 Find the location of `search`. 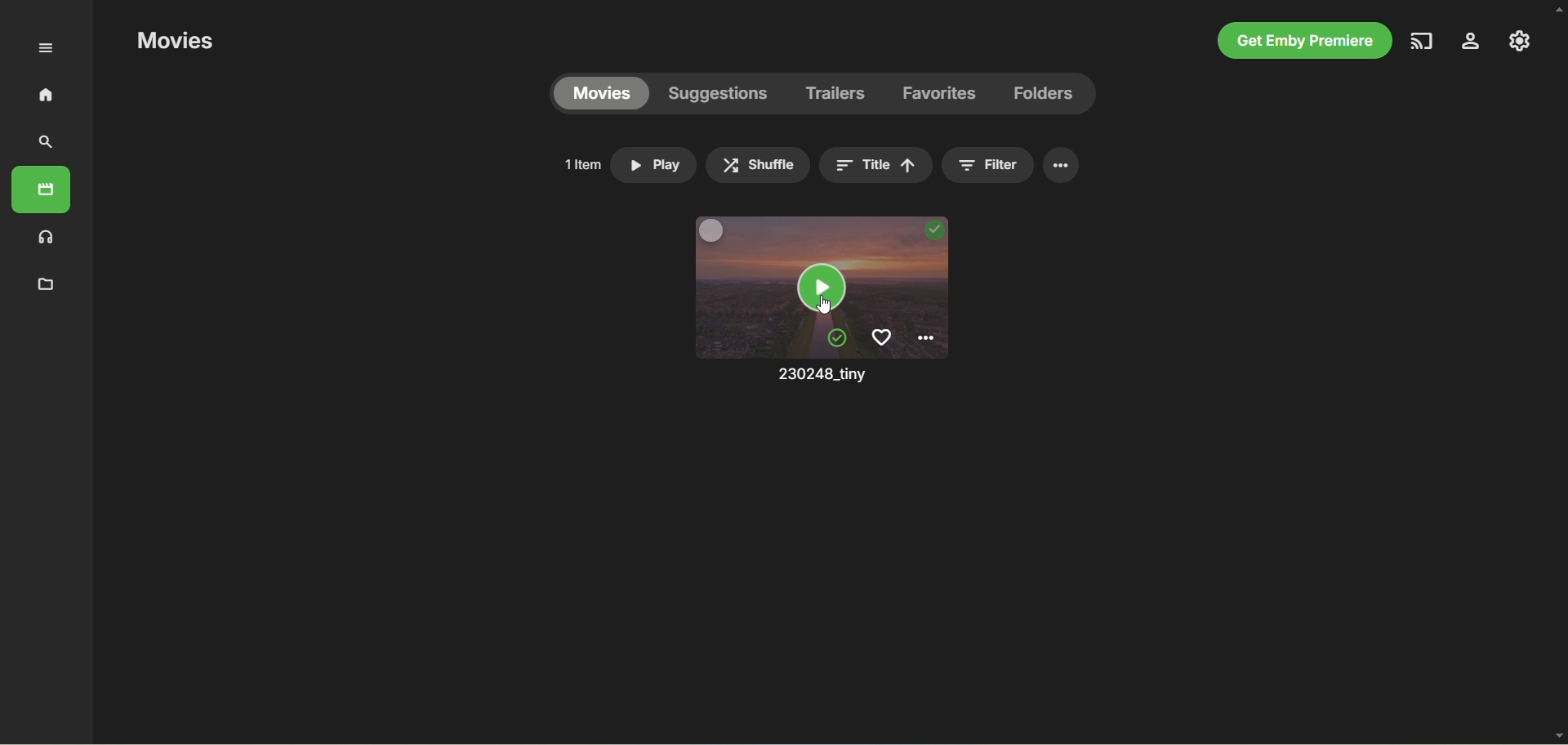

search is located at coordinates (47, 142).